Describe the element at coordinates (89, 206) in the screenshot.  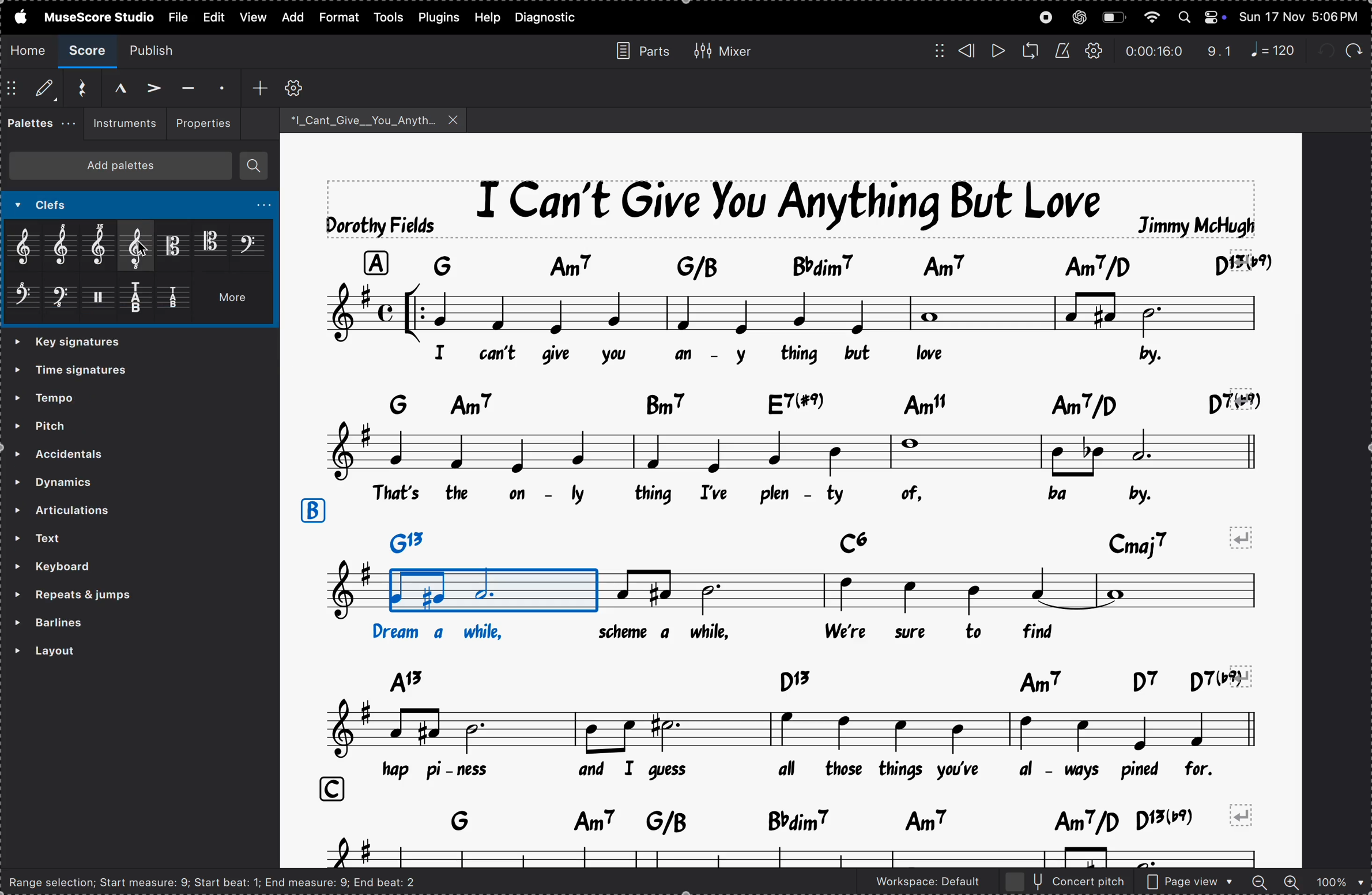
I see `Clefs` at that location.